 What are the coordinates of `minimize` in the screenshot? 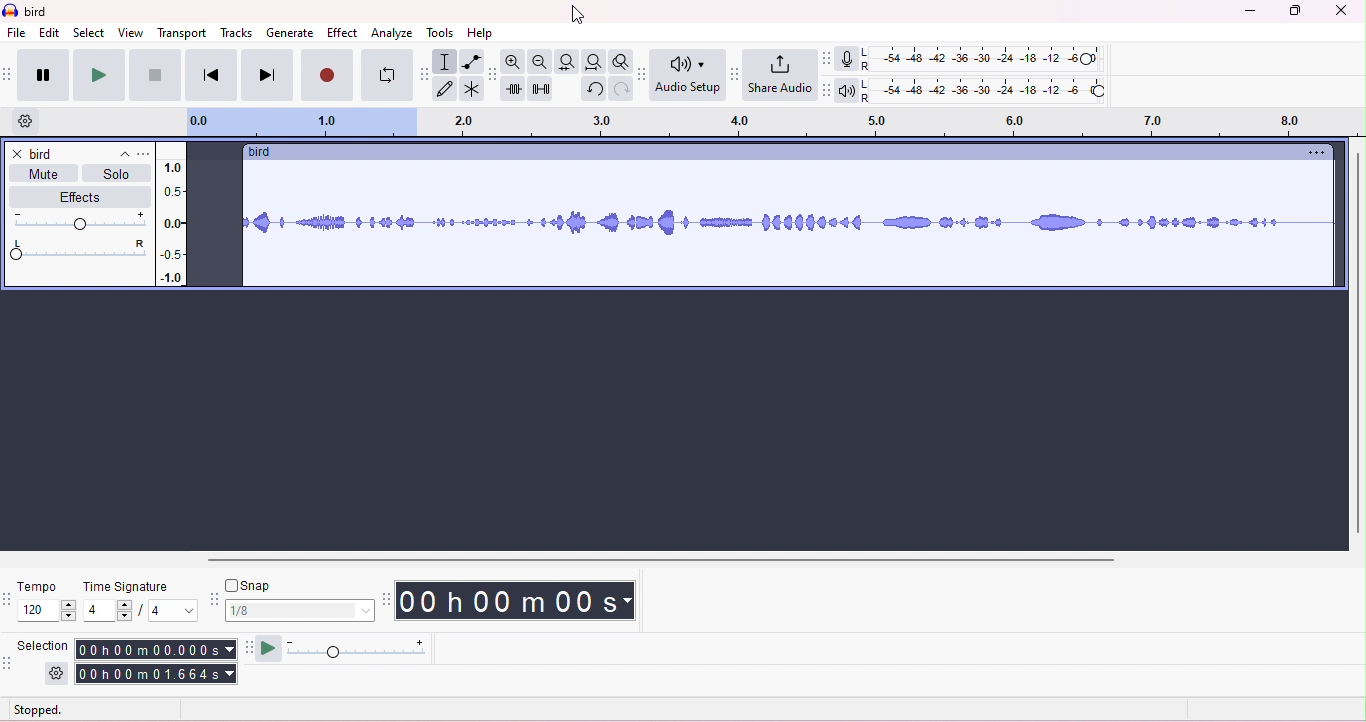 It's located at (1247, 12).